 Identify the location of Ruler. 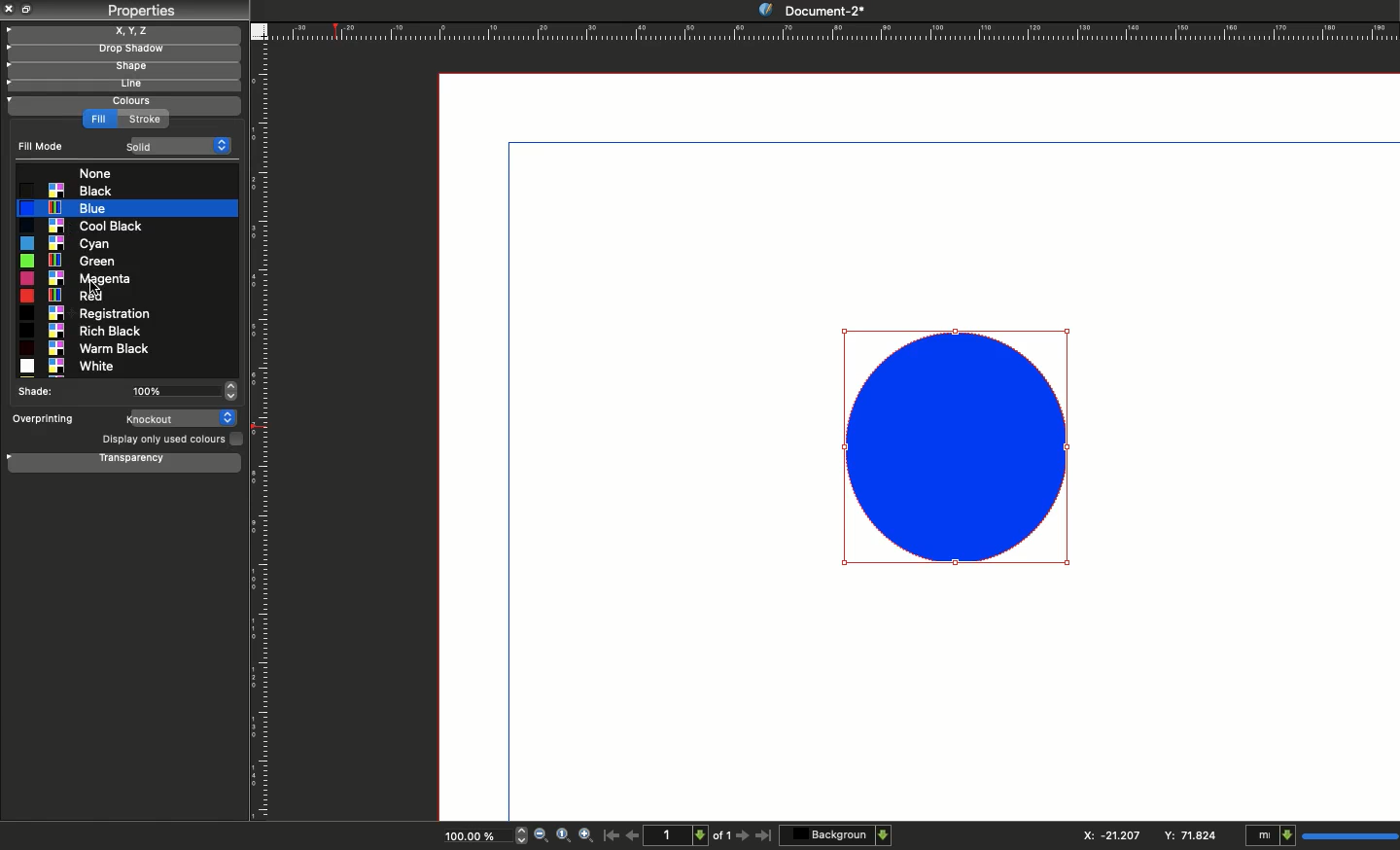
(262, 433).